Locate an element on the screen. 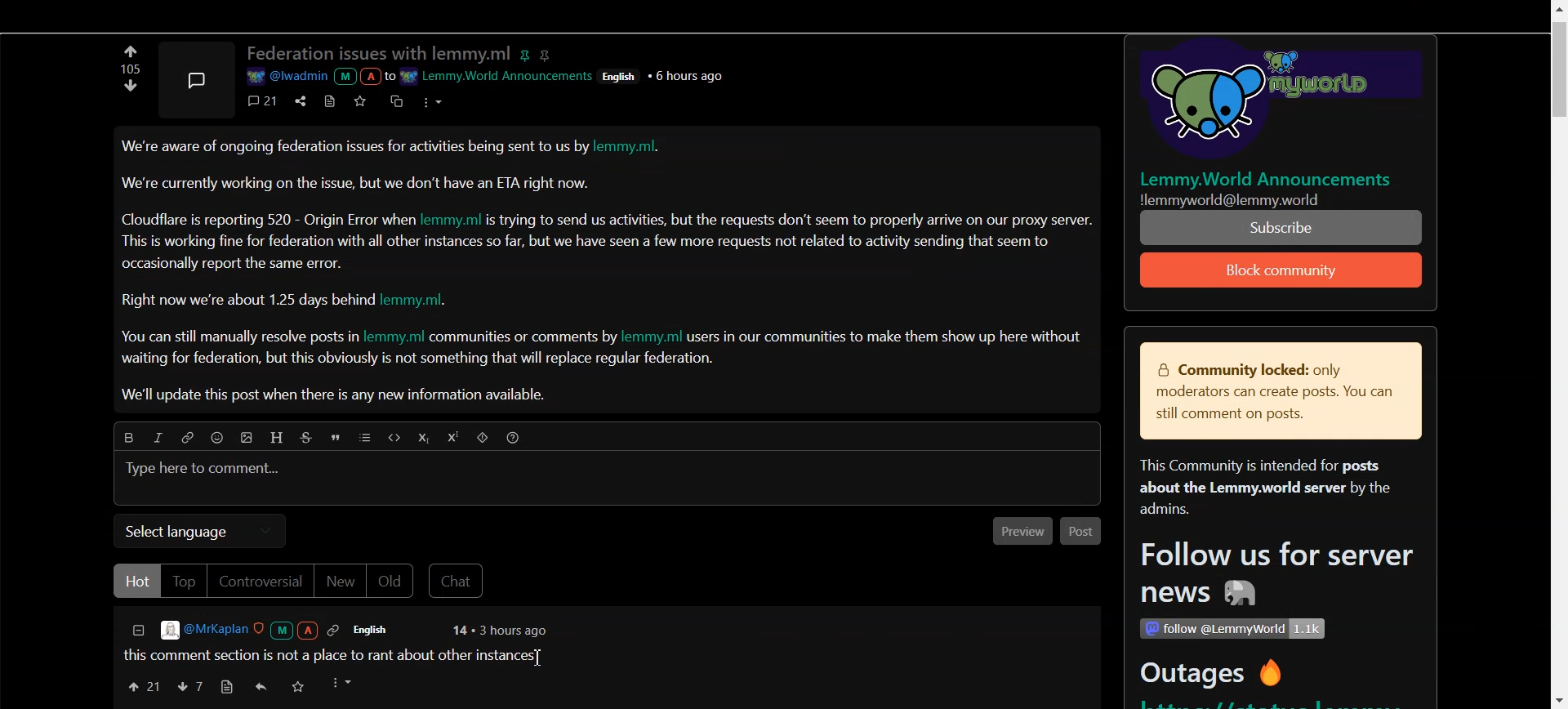 The width and height of the screenshot is (1568, 709). hyperlink is located at coordinates (548, 54).